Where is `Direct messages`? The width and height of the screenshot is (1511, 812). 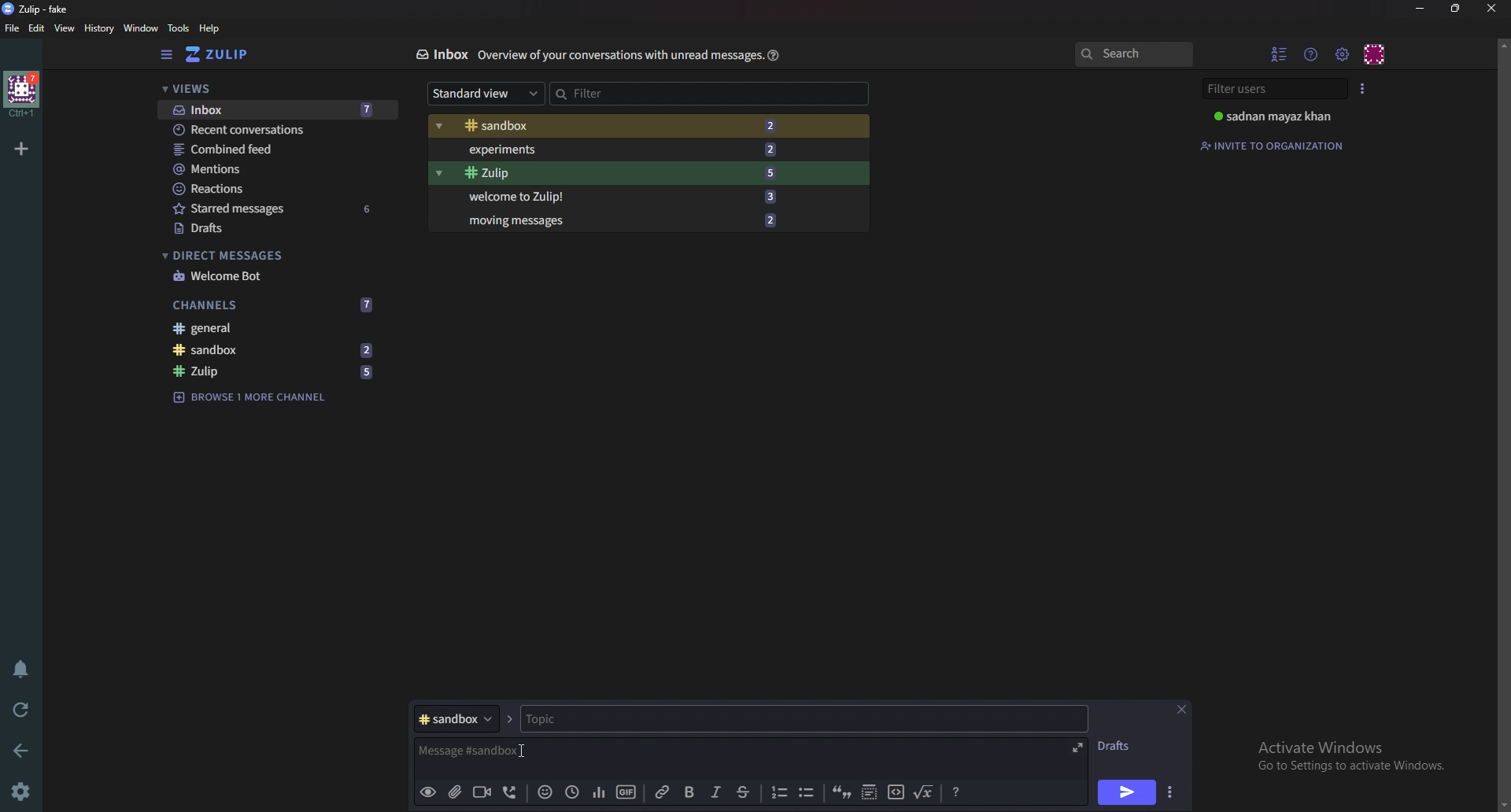 Direct messages is located at coordinates (268, 256).